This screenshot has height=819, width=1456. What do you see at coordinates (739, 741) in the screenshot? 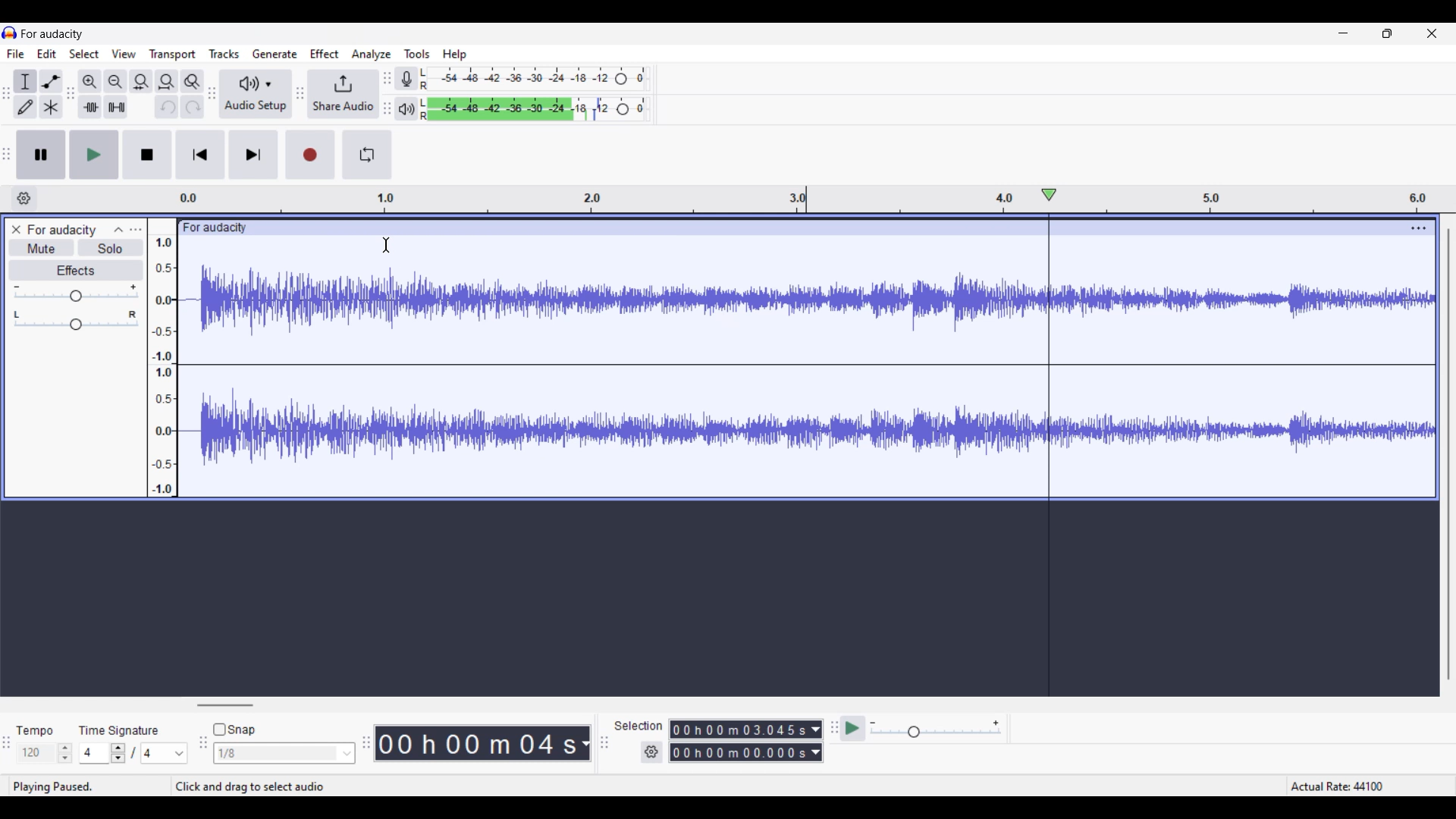
I see `0 0 h 0 0 m 0 0 0 0 0 s     0 0 h 02 m 1 3 0 6 8 s` at bounding box center [739, 741].